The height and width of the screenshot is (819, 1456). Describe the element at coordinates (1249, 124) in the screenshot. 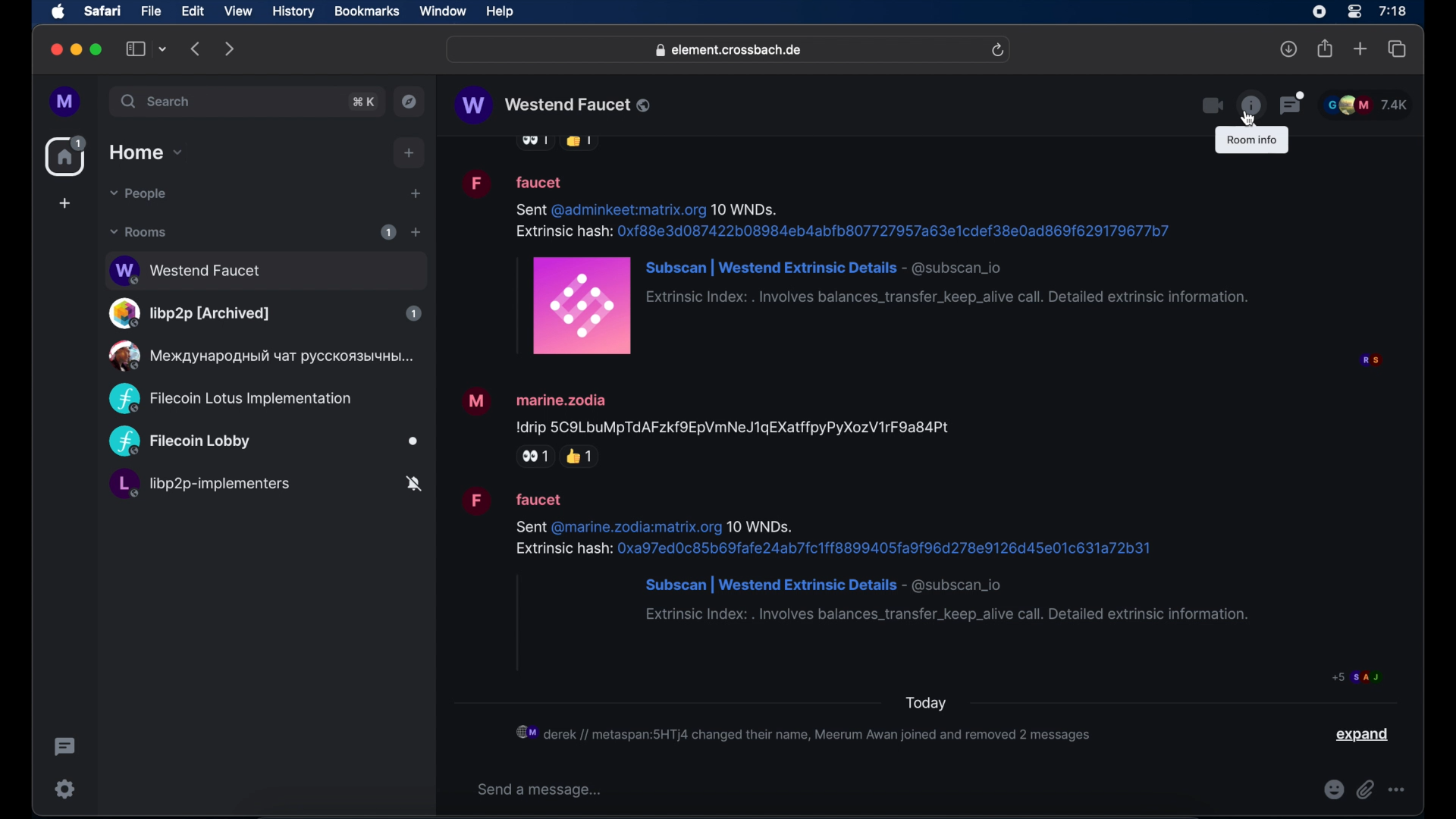

I see `cursor` at that location.